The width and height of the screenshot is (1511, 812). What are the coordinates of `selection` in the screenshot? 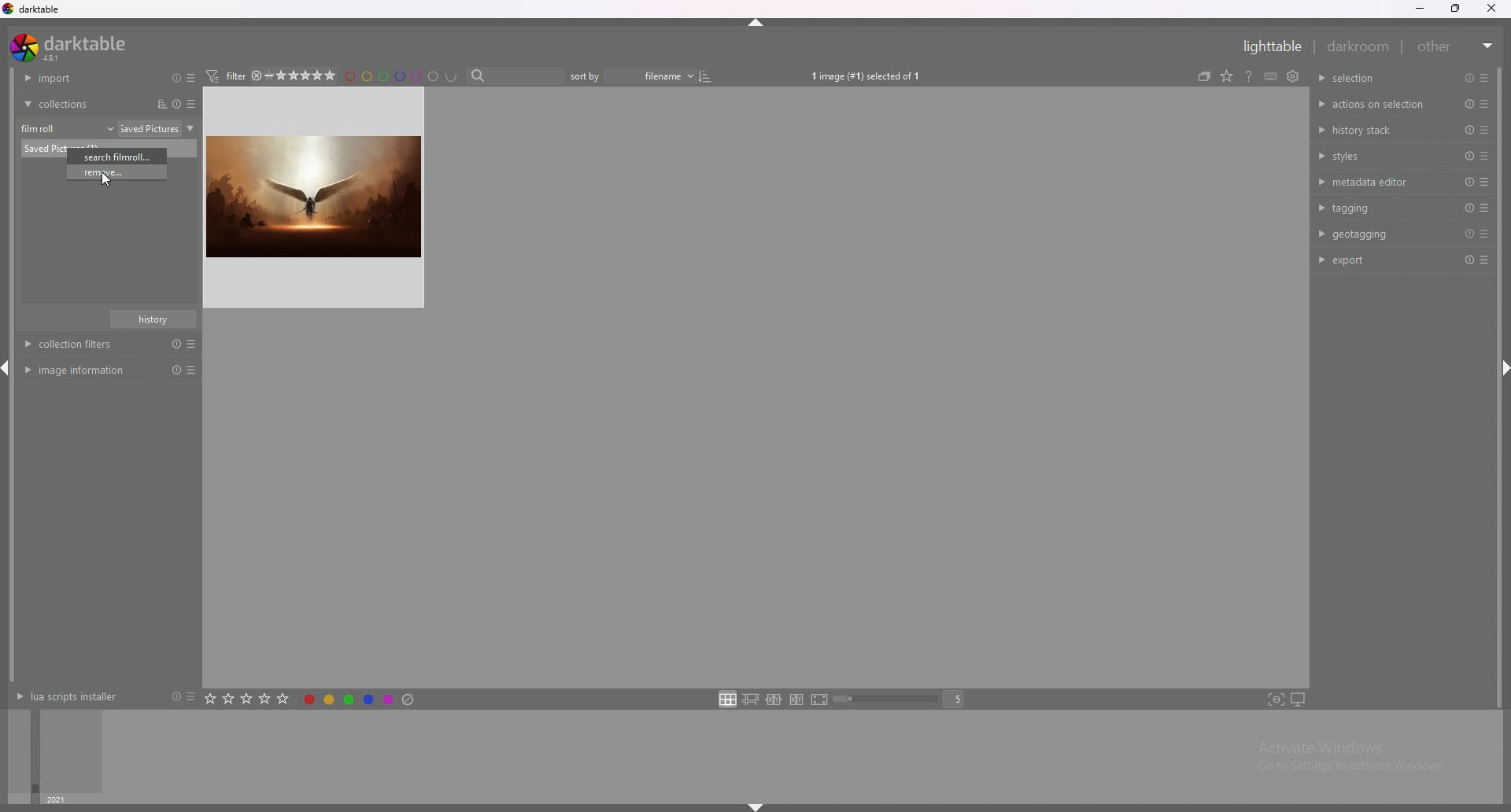 It's located at (1361, 78).